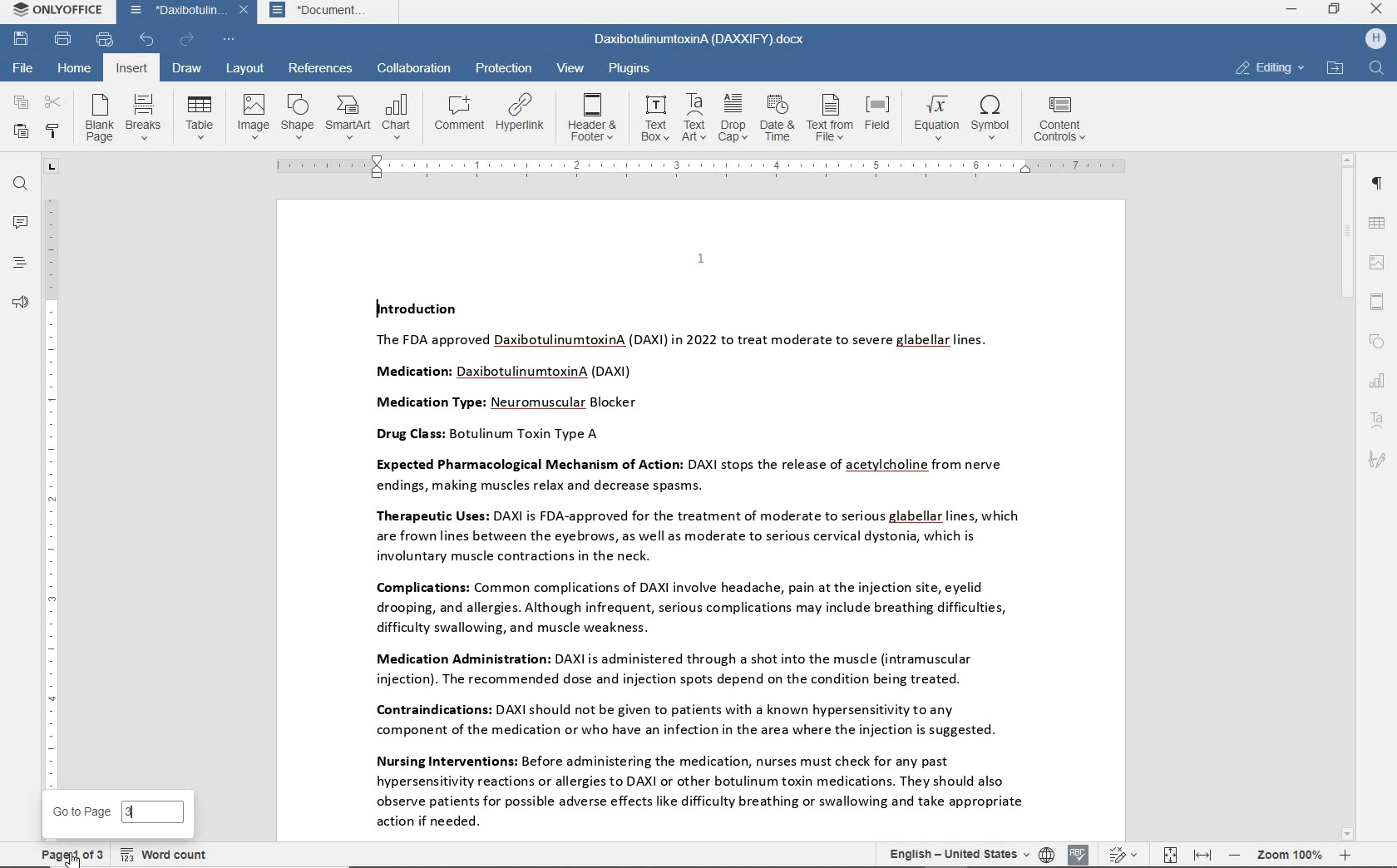 The height and width of the screenshot is (868, 1397). I want to click on plugins, so click(633, 67).